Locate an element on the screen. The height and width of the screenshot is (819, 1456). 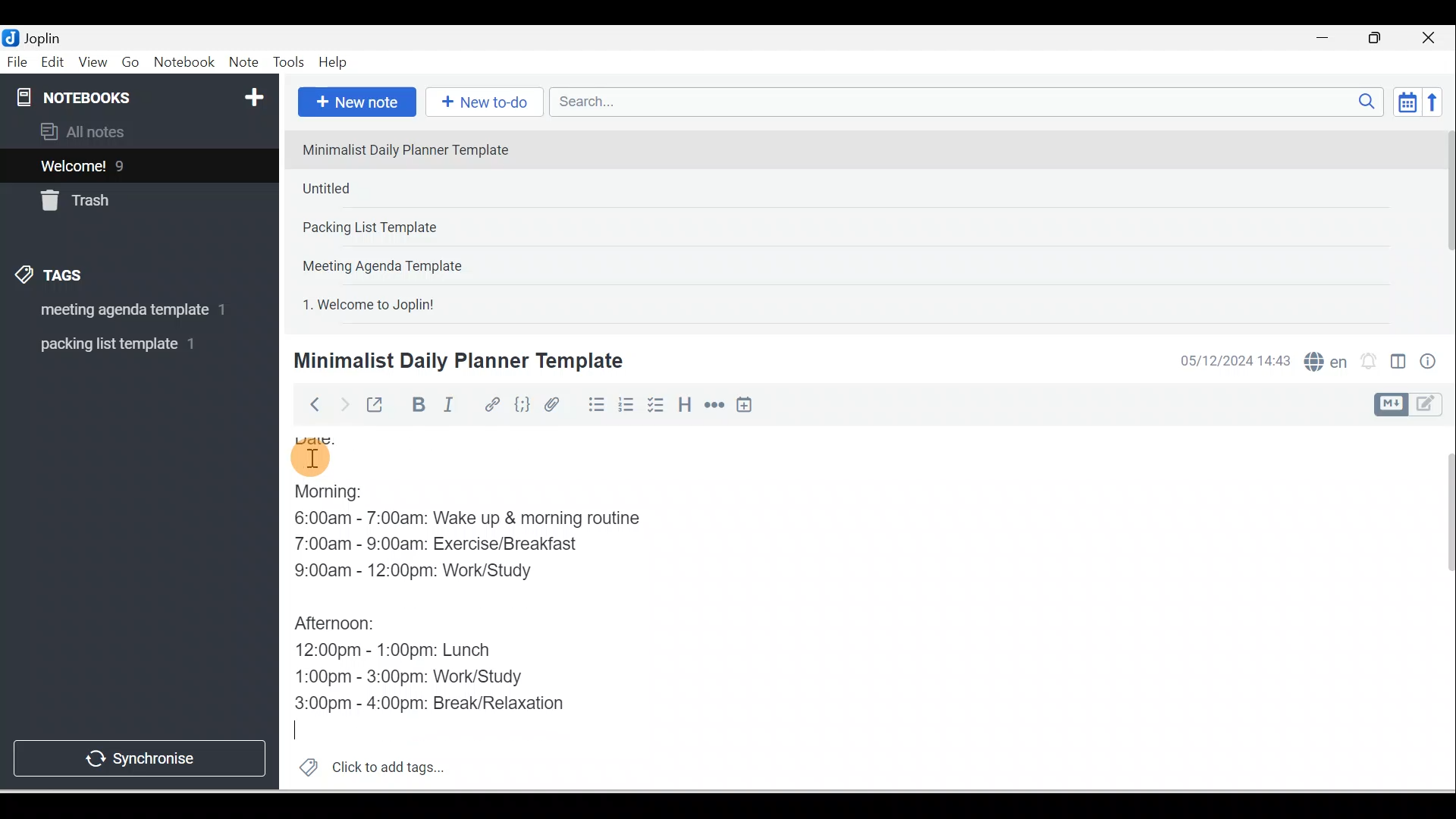
Edit is located at coordinates (54, 63).